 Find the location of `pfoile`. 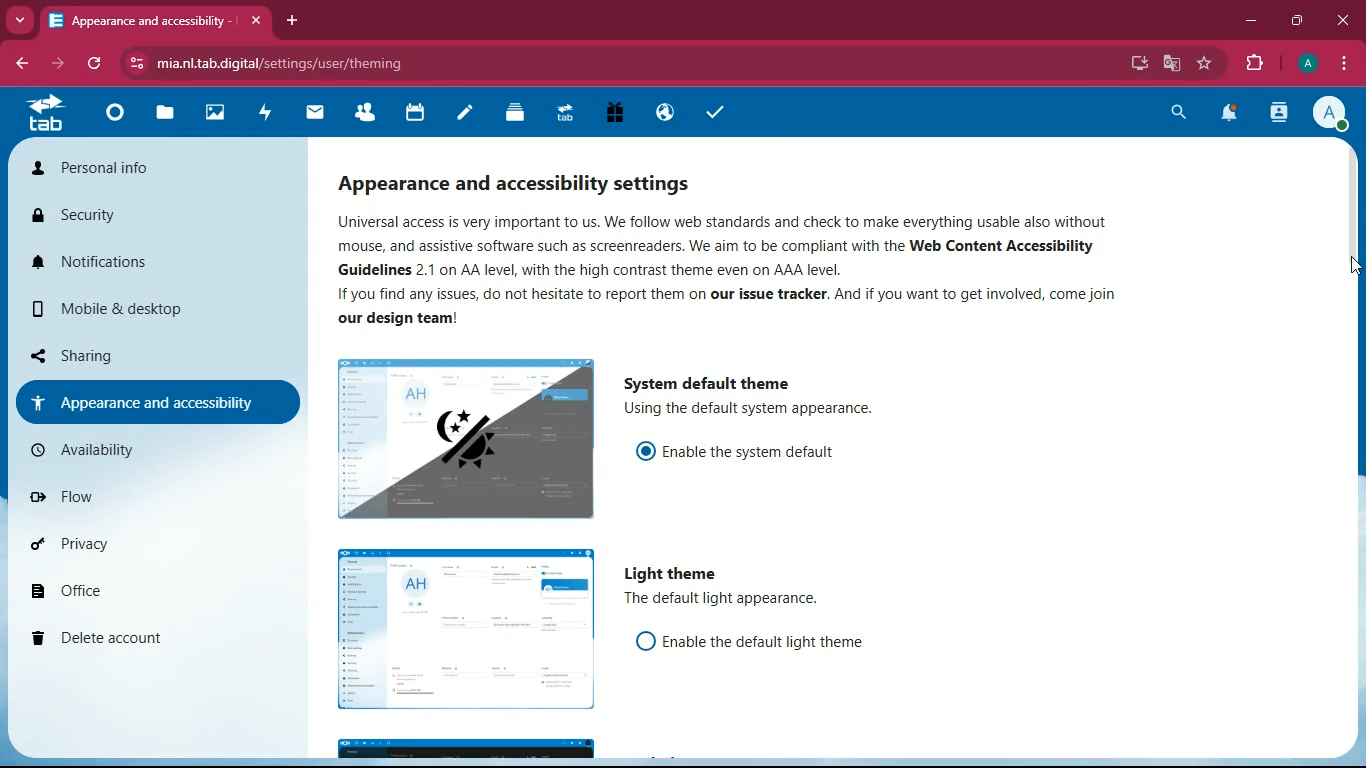

pfoile is located at coordinates (1306, 63).